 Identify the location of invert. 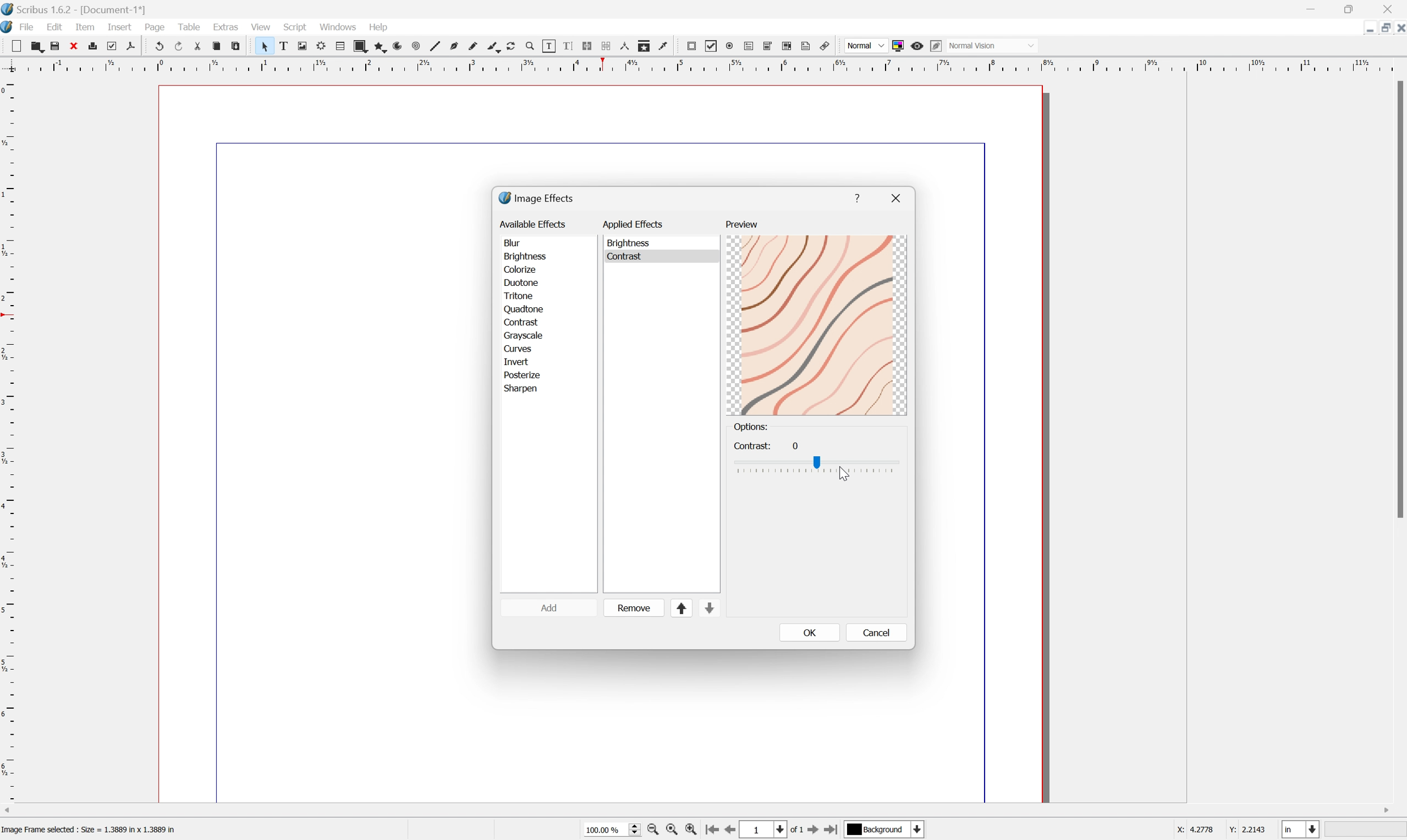
(520, 360).